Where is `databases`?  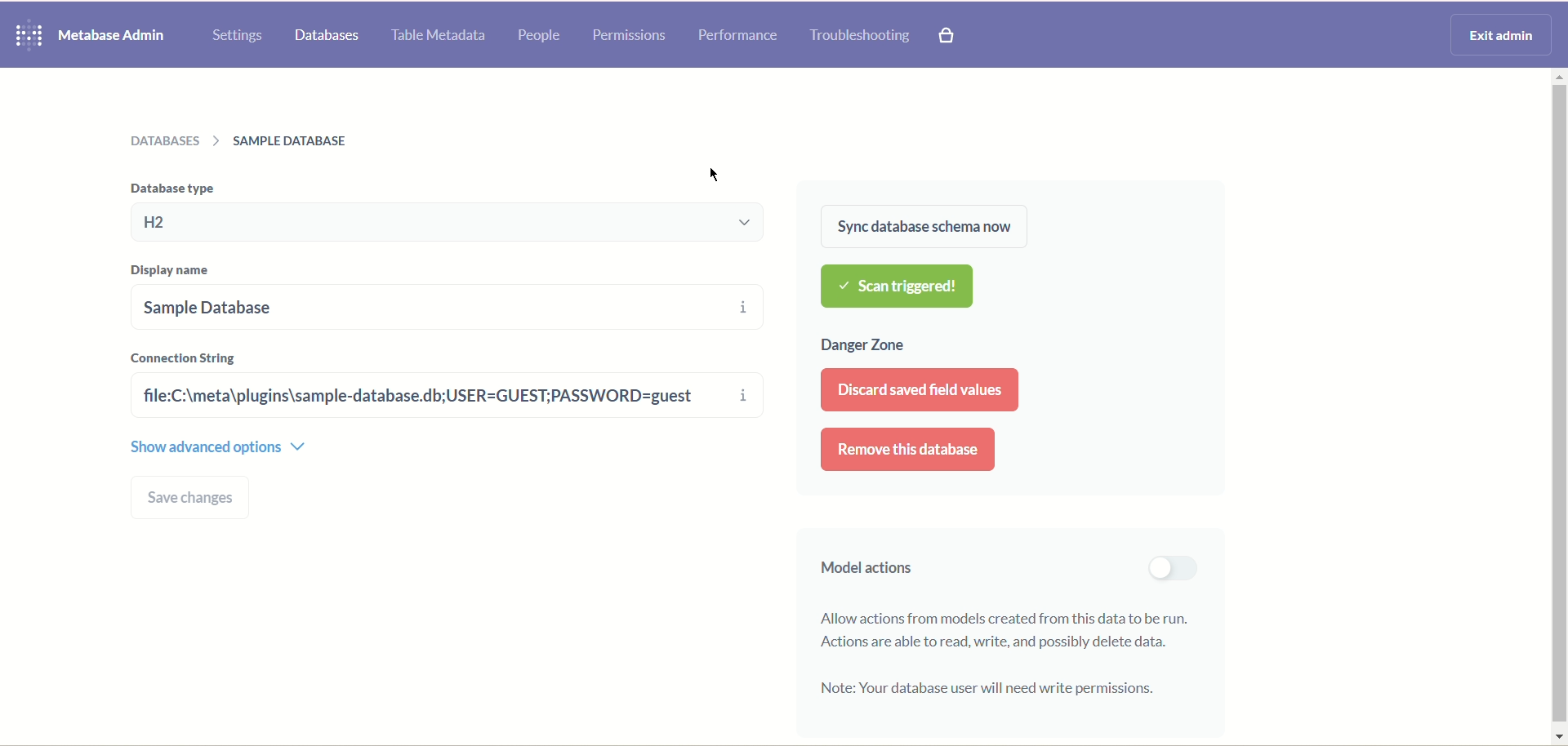 databases is located at coordinates (327, 37).